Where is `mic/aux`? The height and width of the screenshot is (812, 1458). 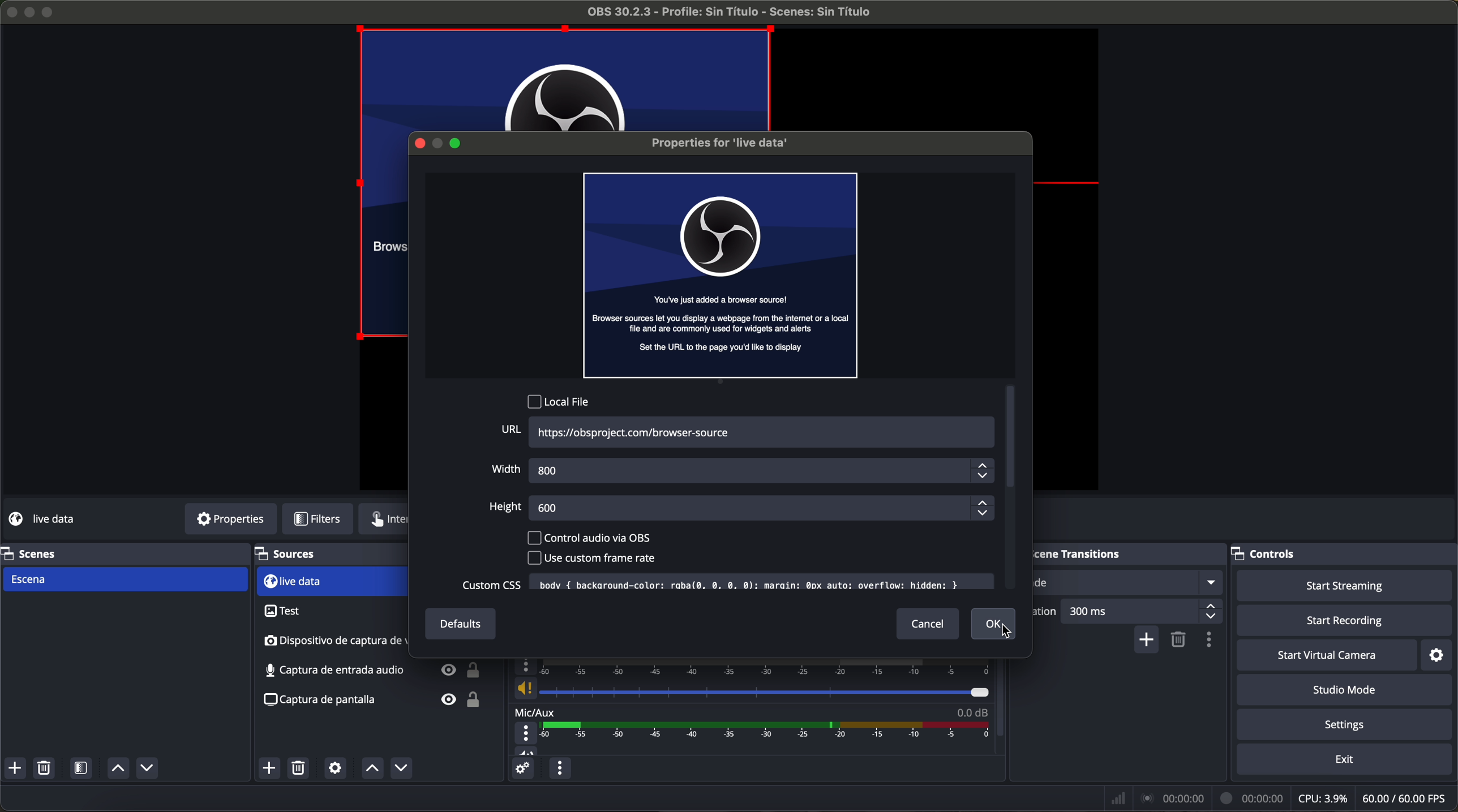
mic/aux is located at coordinates (541, 712).